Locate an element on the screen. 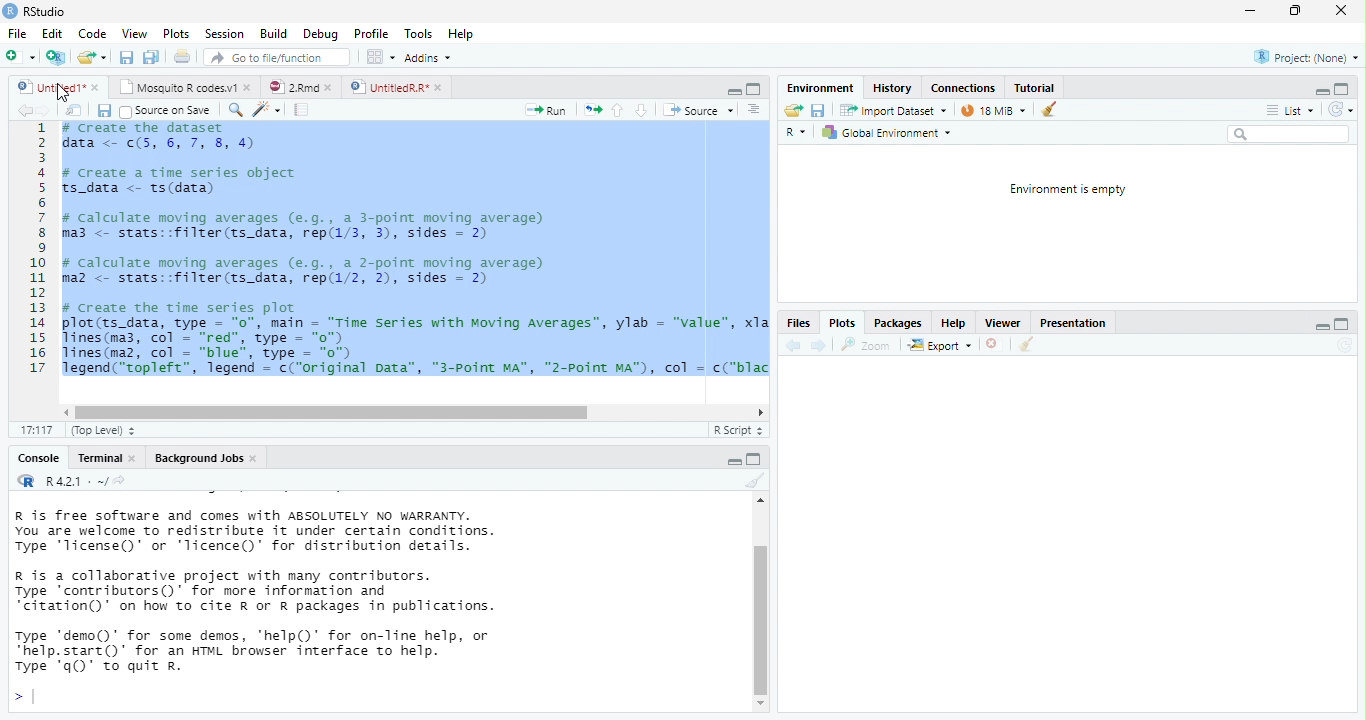  History is located at coordinates (892, 87).